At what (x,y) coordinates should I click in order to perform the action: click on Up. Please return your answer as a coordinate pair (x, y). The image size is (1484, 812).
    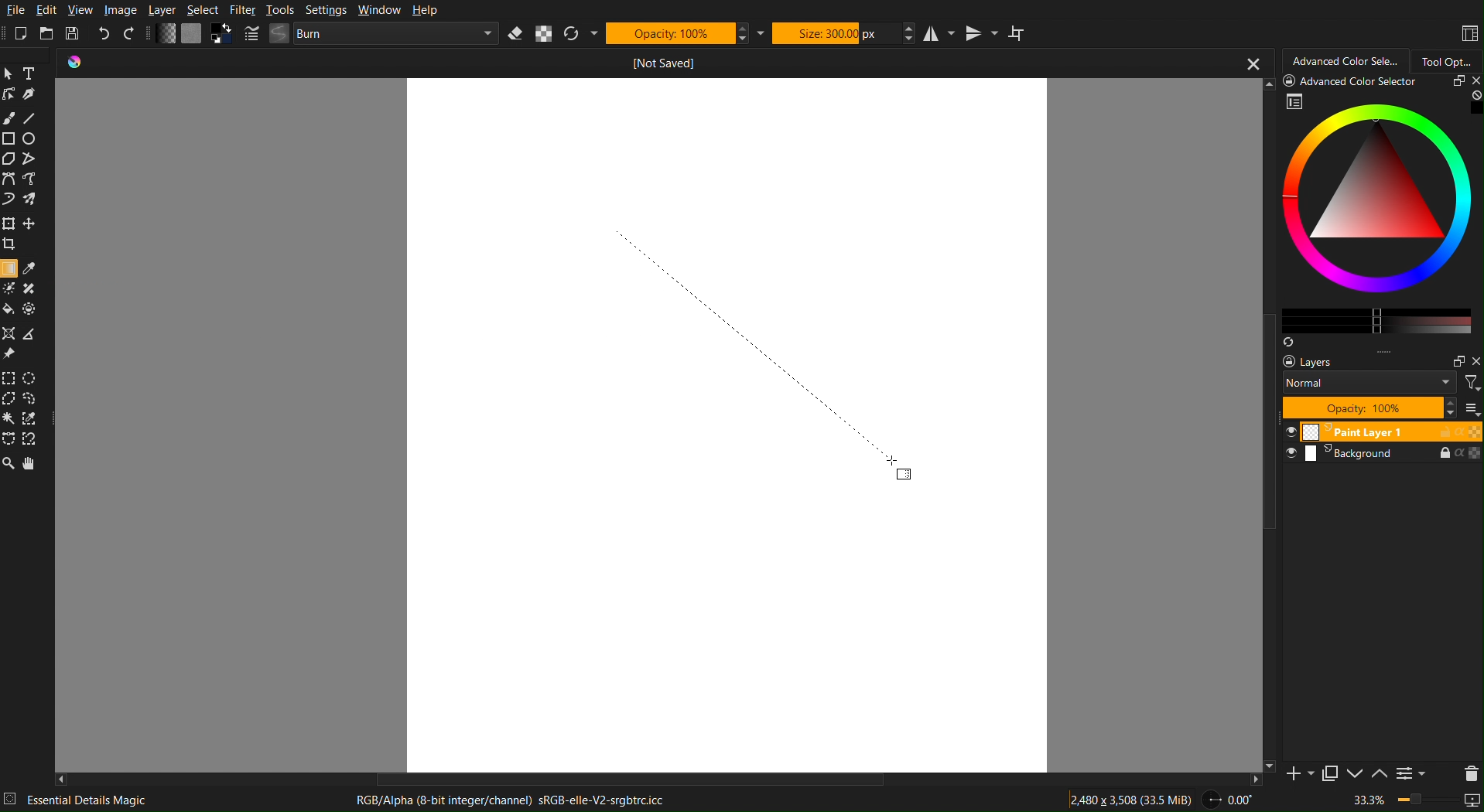
    Looking at the image, I should click on (1378, 775).